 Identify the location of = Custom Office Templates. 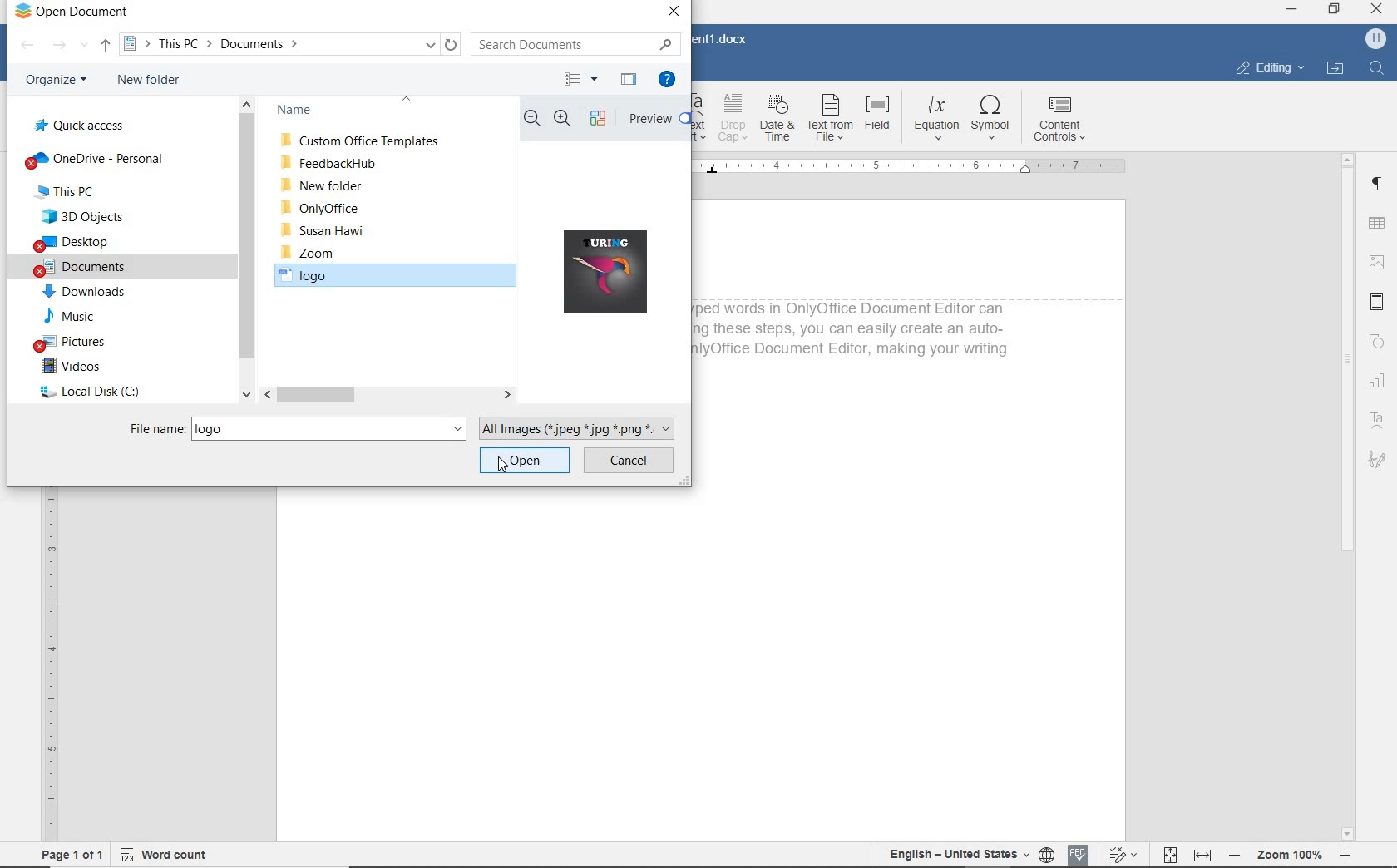
(363, 141).